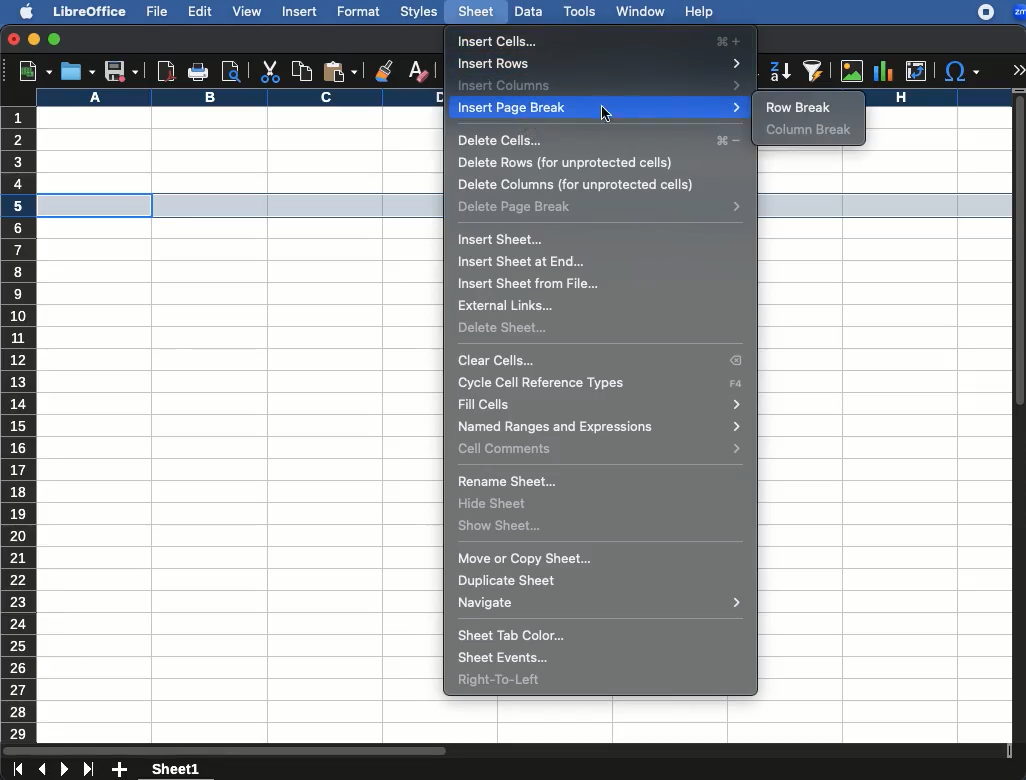 The width and height of the screenshot is (1026, 780). Describe the element at coordinates (602, 403) in the screenshot. I see `fit cells` at that location.